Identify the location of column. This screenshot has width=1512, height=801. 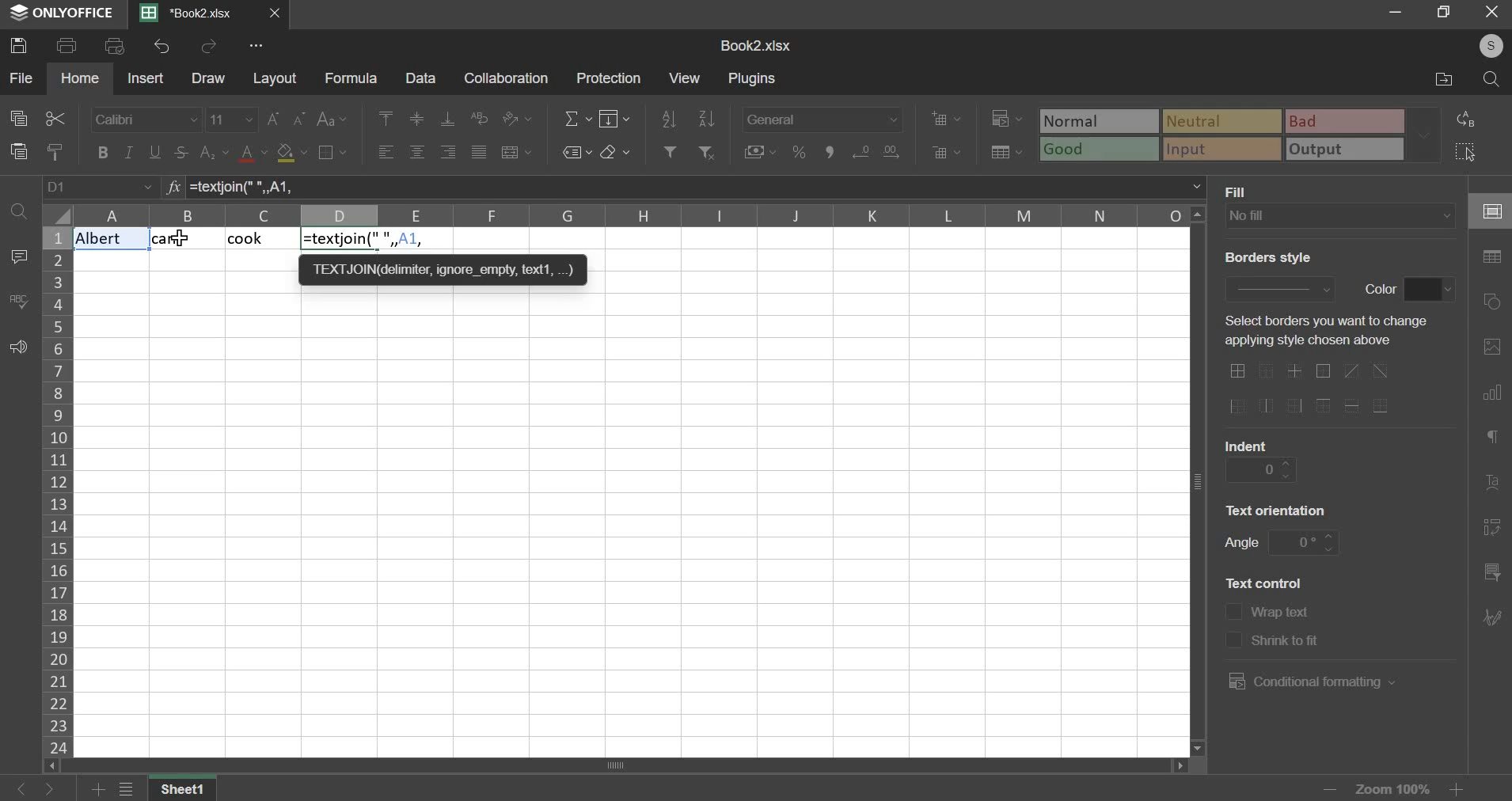
(56, 491).